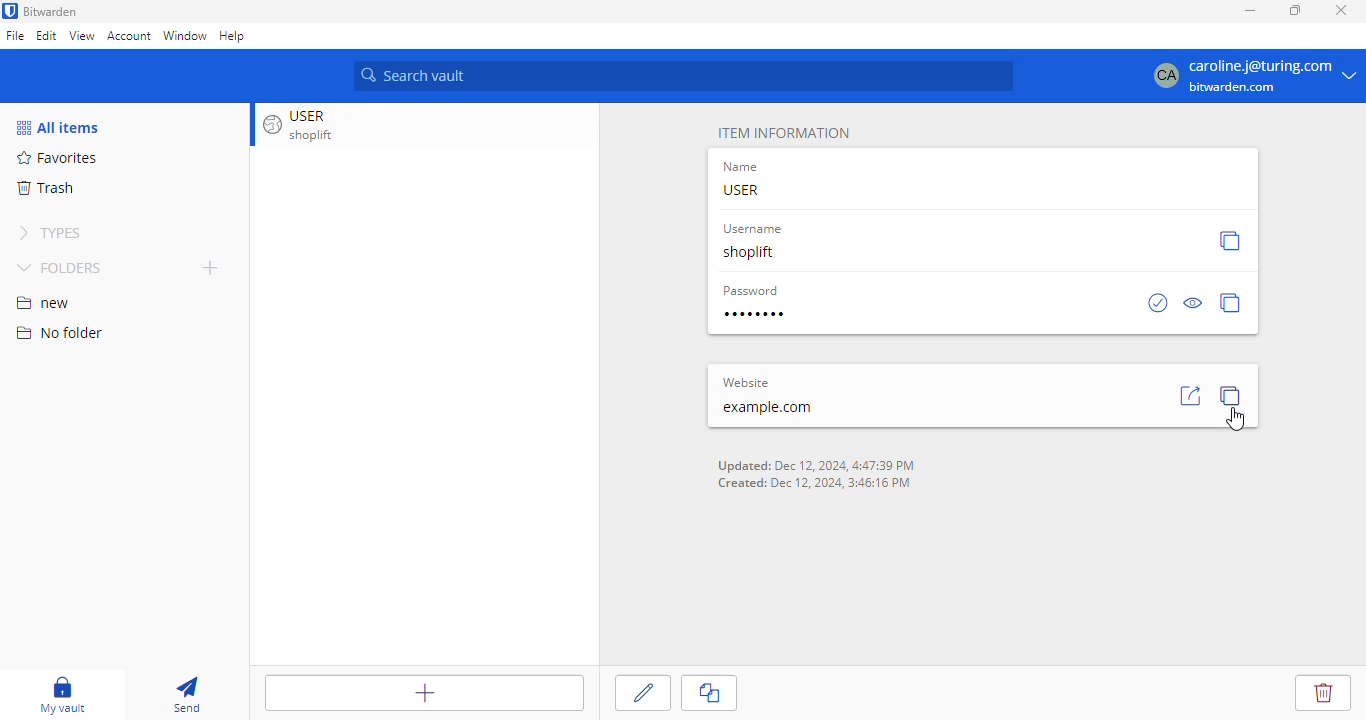 This screenshot has height=720, width=1366. Describe the element at coordinates (184, 35) in the screenshot. I see `window` at that location.